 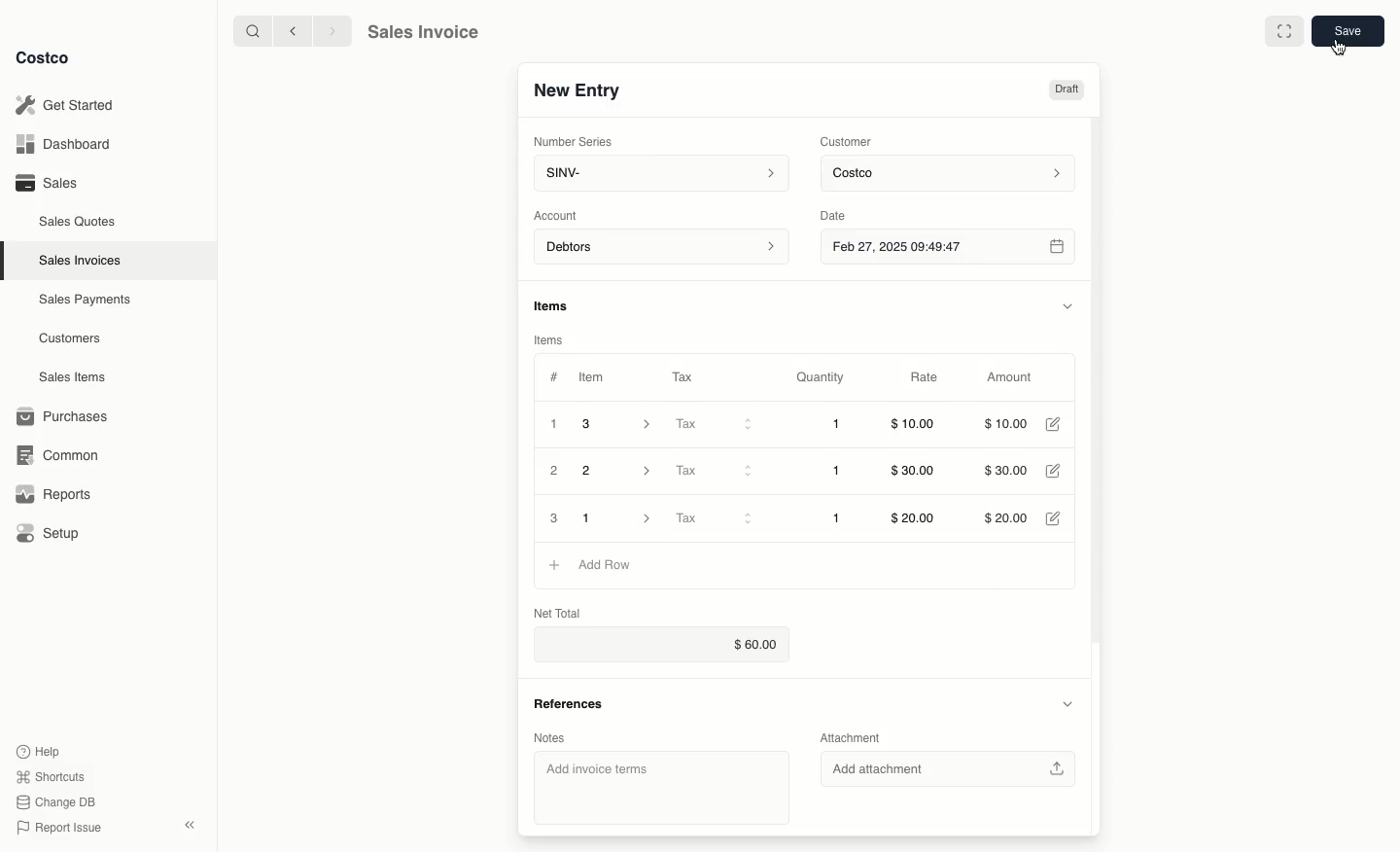 What do you see at coordinates (51, 494) in the screenshot?
I see `Reports` at bounding box center [51, 494].